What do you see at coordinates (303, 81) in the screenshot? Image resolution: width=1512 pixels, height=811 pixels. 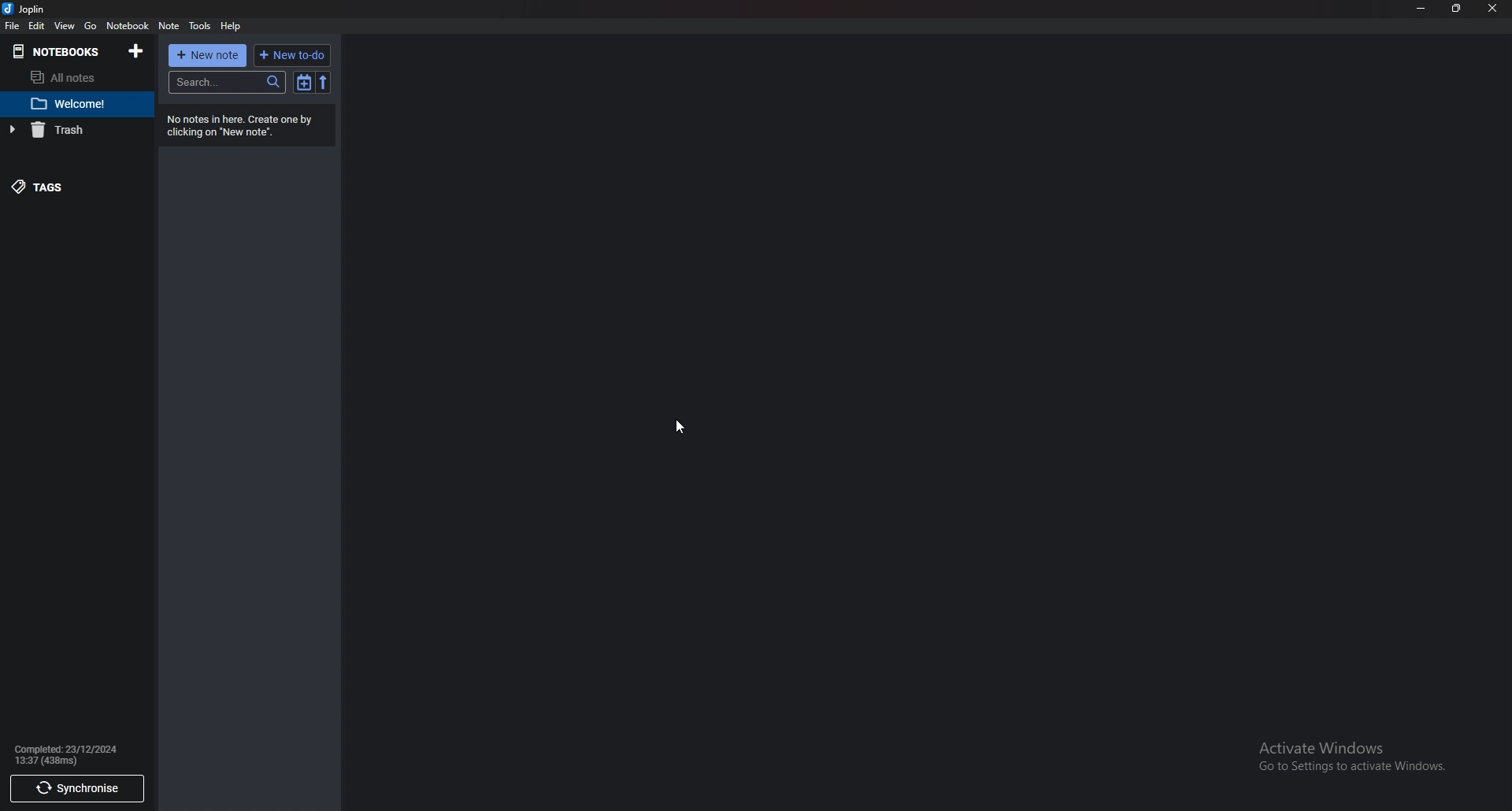 I see `Toggle sort order` at bounding box center [303, 81].